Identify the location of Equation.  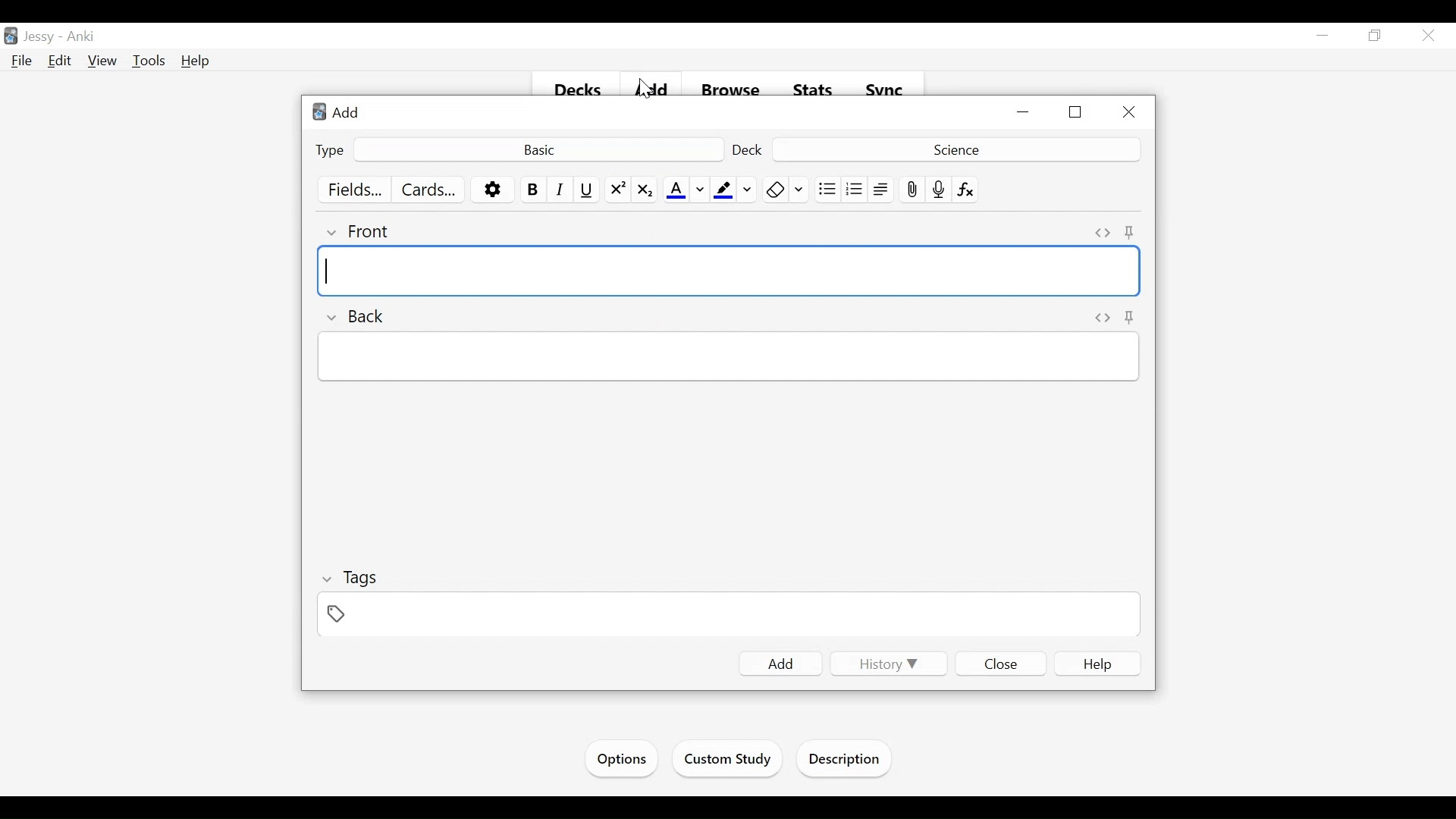
(966, 190).